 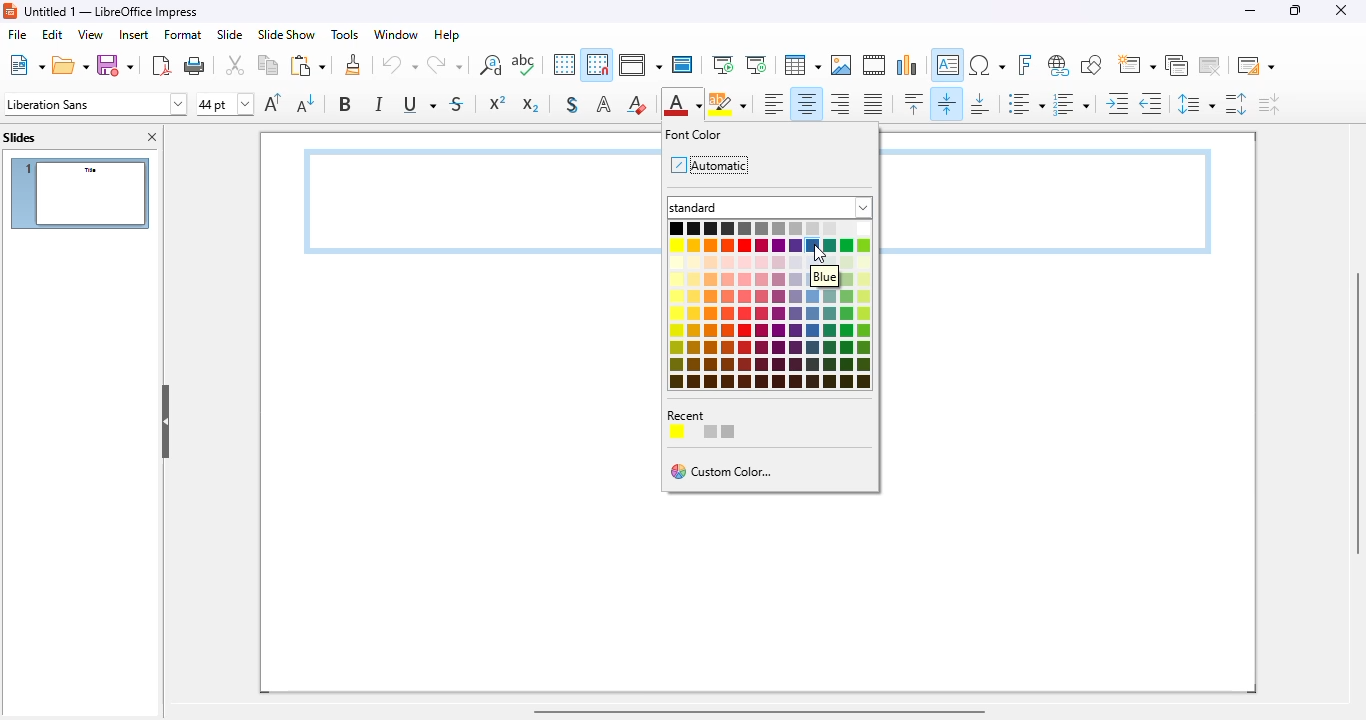 I want to click on increase font size, so click(x=274, y=102).